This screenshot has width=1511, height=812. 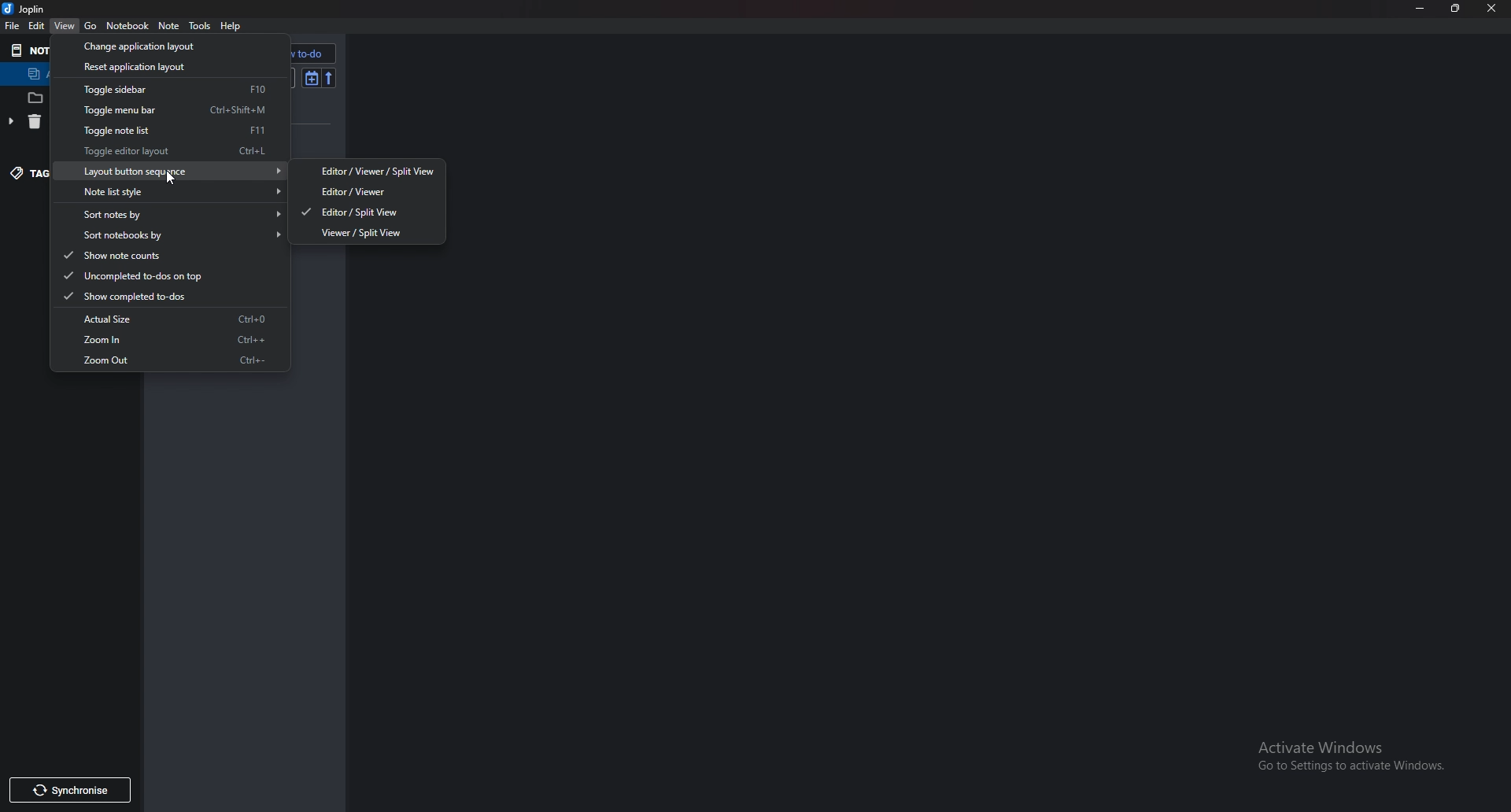 What do you see at coordinates (14, 25) in the screenshot?
I see `File` at bounding box center [14, 25].